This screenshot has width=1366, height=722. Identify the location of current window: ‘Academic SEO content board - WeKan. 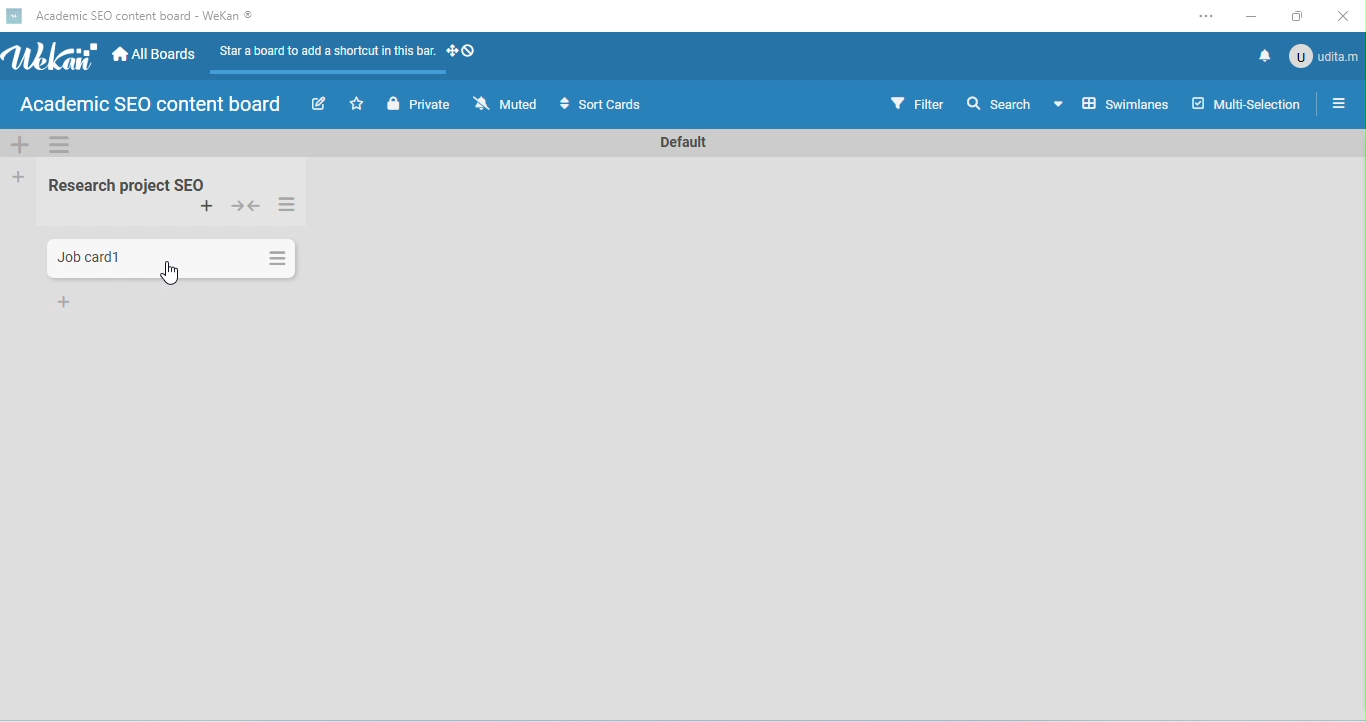
(143, 16).